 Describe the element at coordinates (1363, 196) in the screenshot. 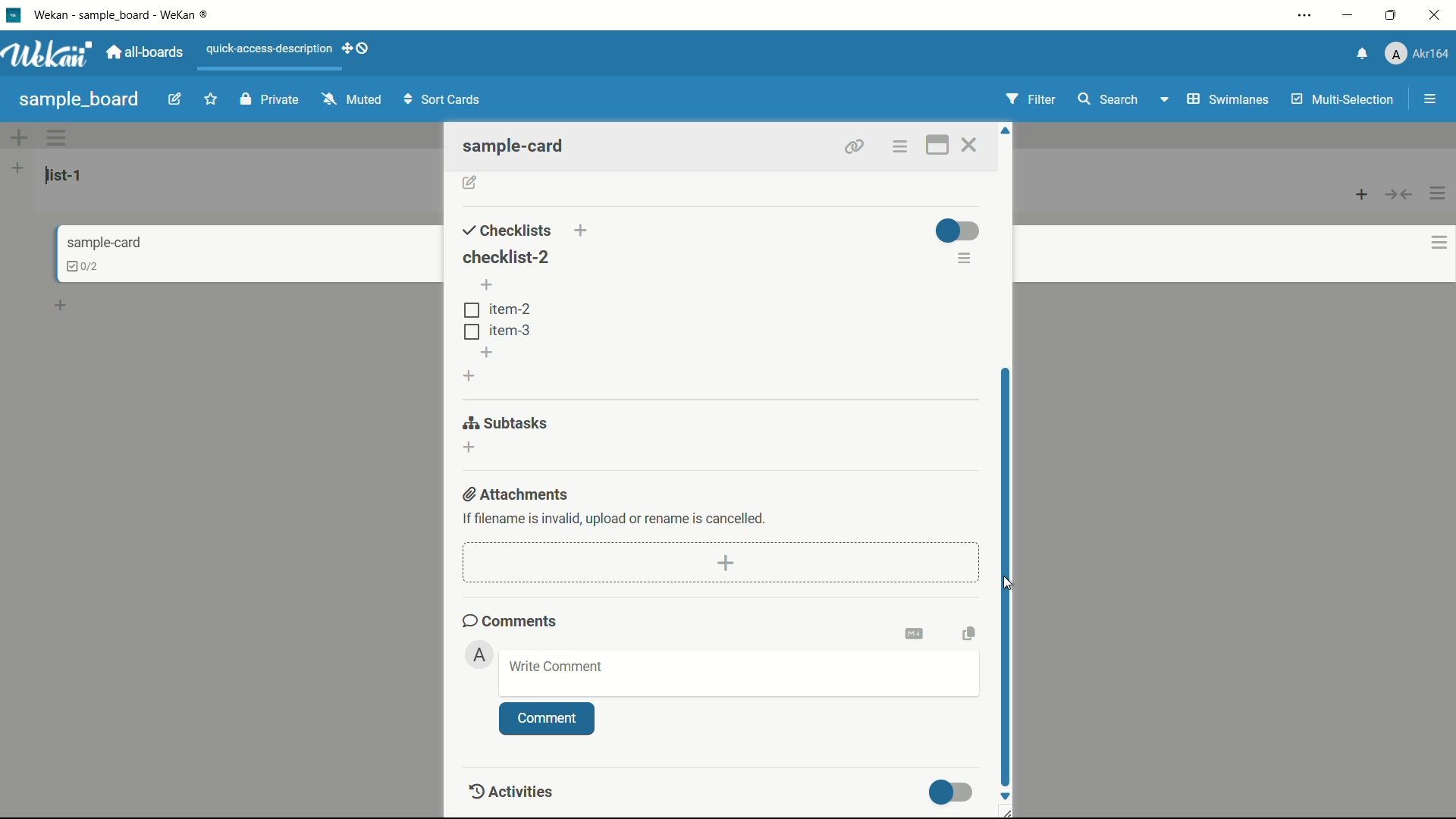

I see `add card to top of list` at that location.